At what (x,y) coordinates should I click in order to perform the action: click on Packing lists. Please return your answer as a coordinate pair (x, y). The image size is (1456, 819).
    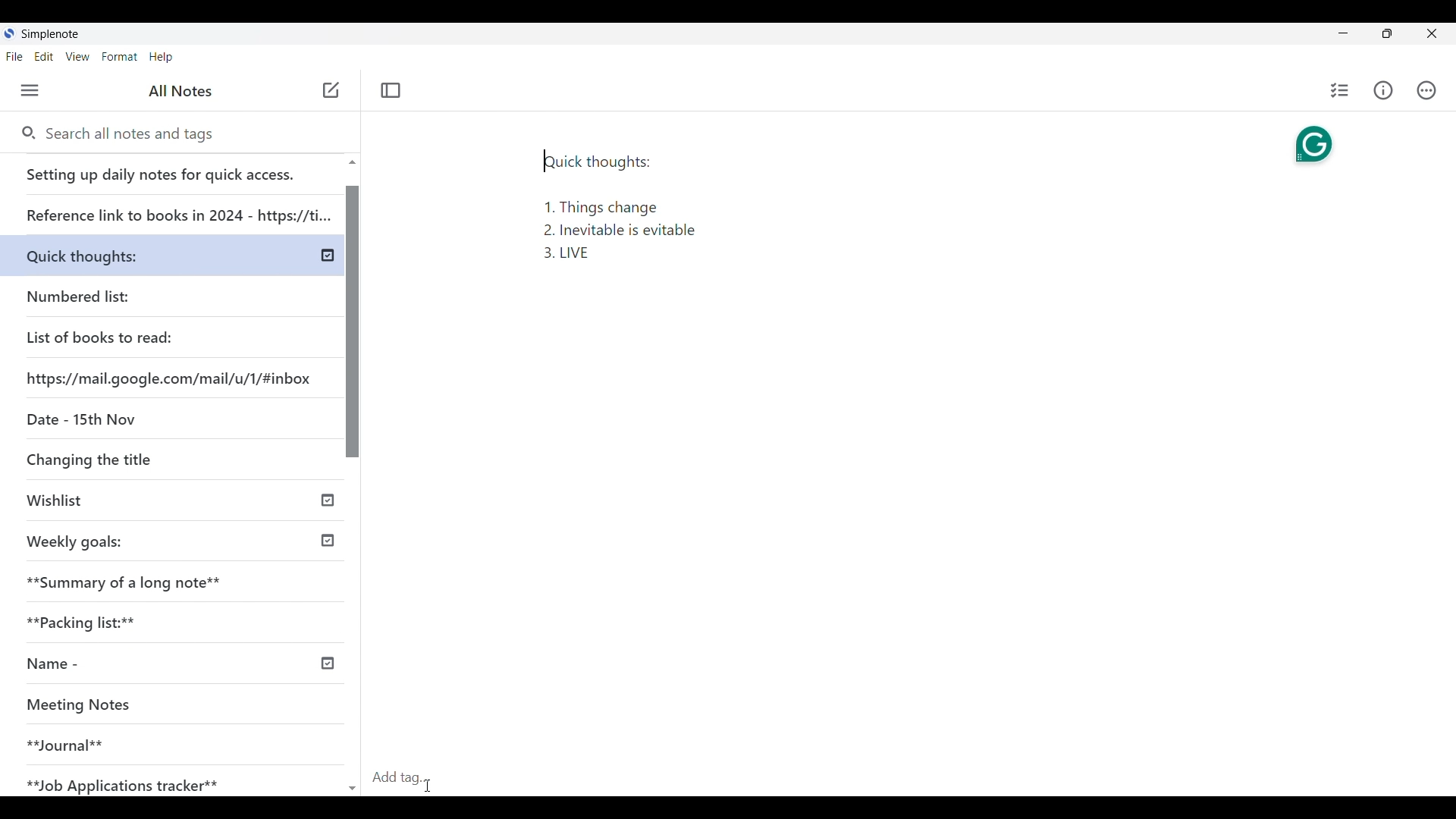
    Looking at the image, I should click on (179, 620).